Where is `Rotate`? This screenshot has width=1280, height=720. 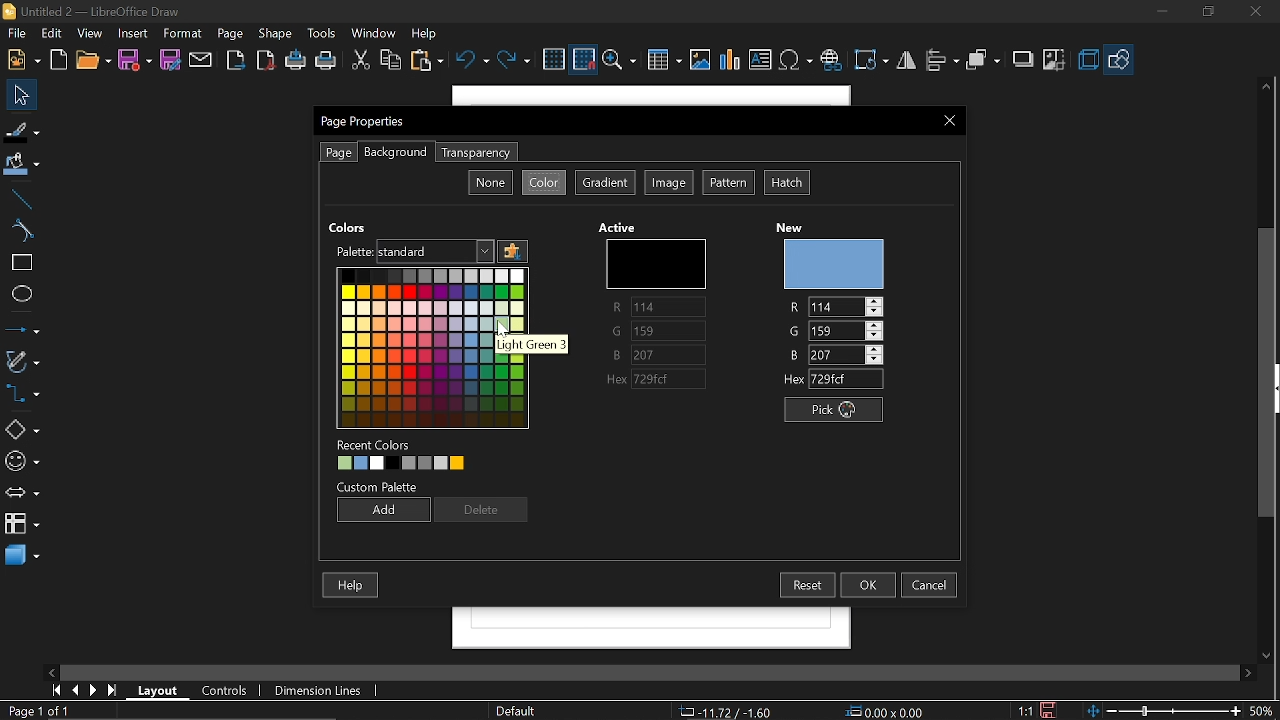 Rotate is located at coordinates (872, 61).